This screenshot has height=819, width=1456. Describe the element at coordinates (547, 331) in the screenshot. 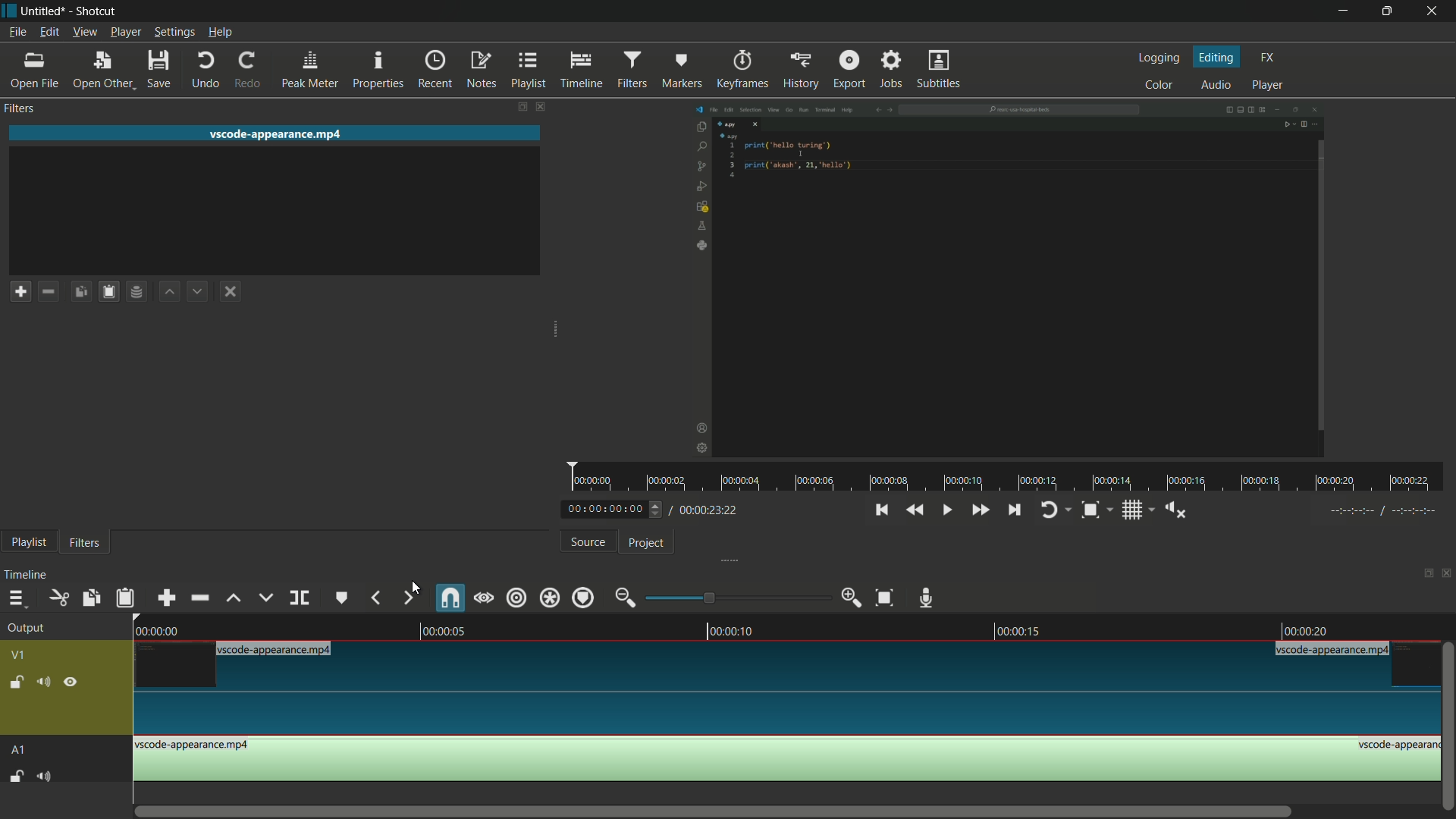

I see `expand` at that location.